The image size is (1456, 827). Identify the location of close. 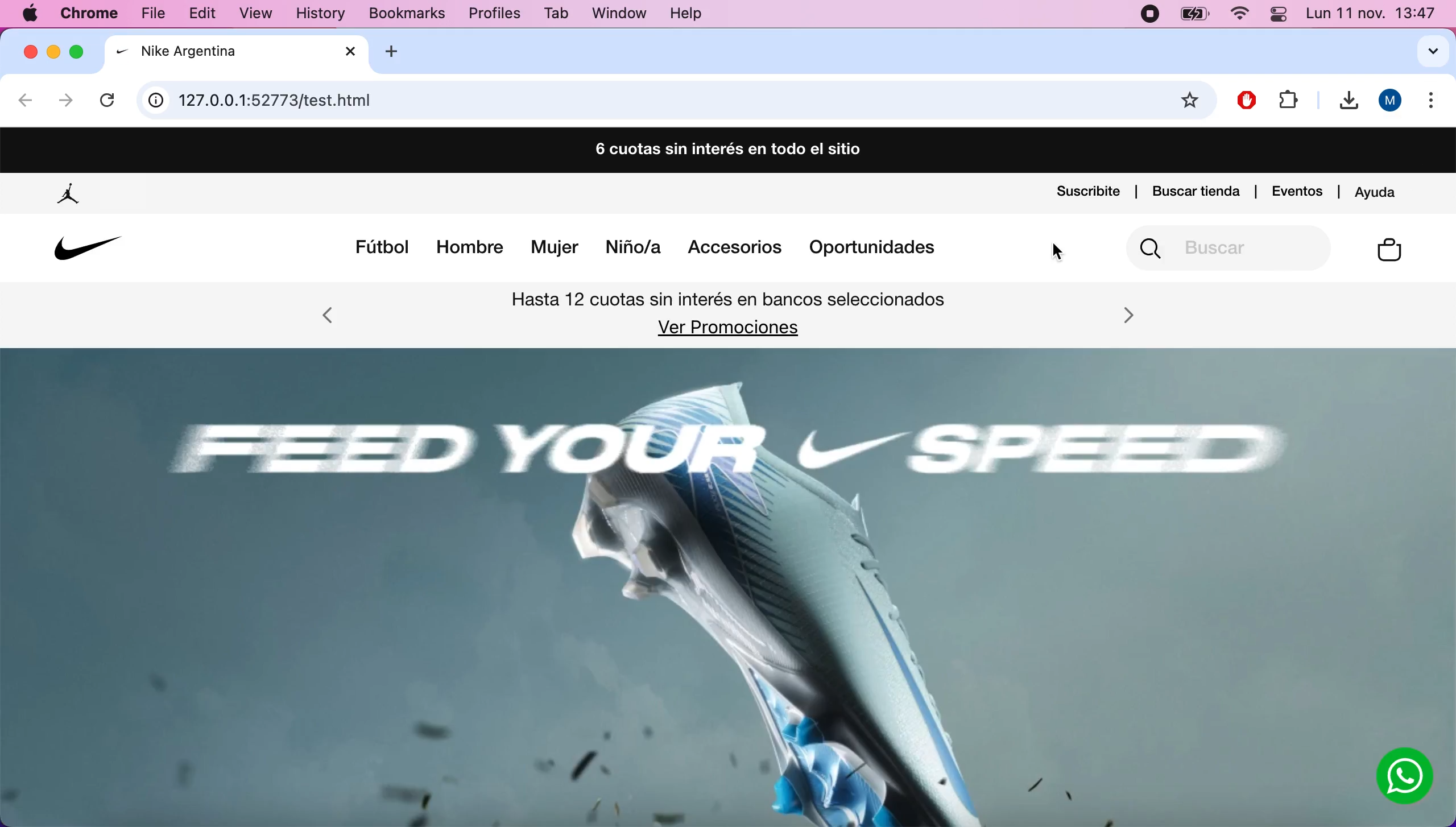
(30, 51).